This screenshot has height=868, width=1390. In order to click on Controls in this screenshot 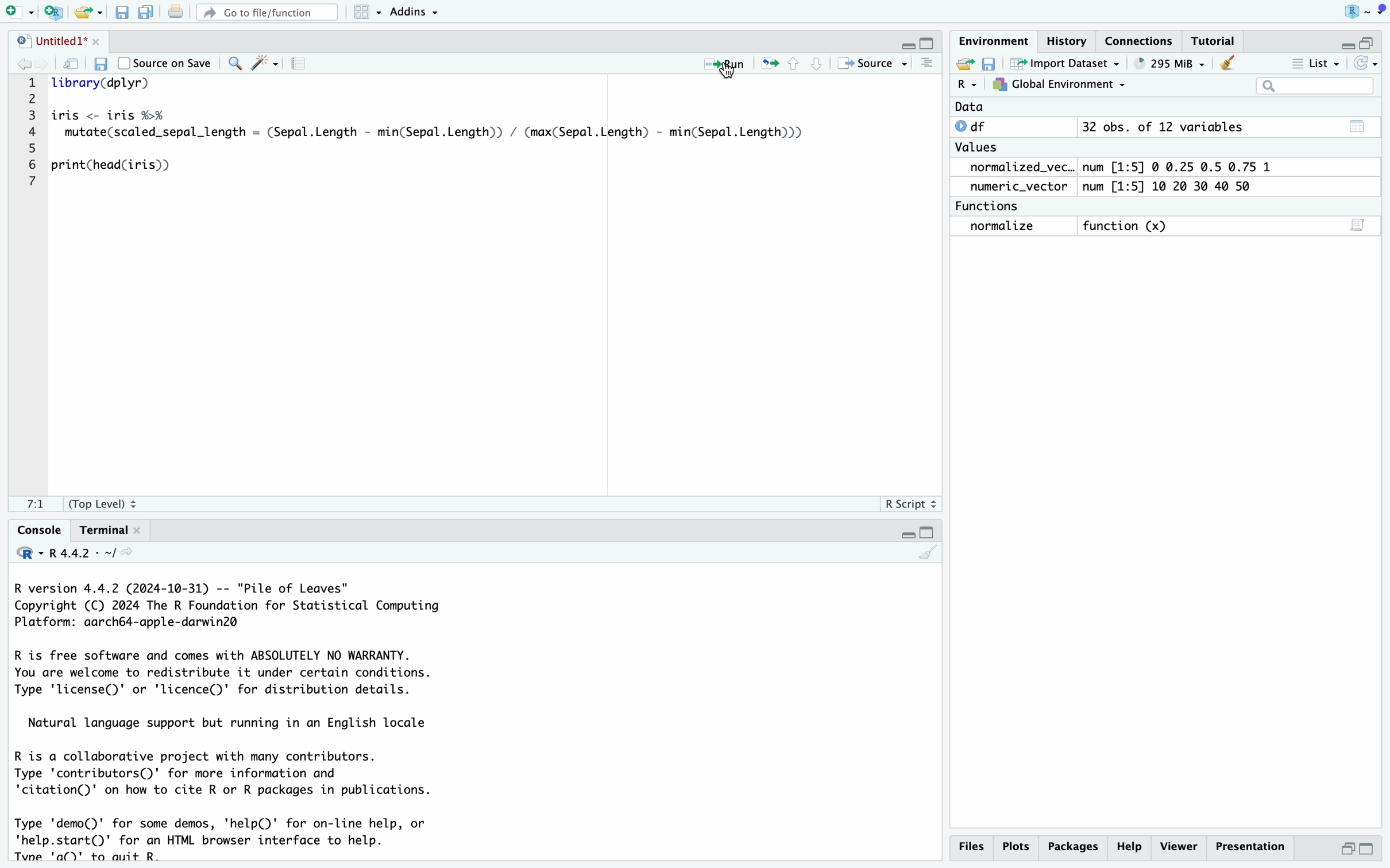, I will do `click(793, 63)`.